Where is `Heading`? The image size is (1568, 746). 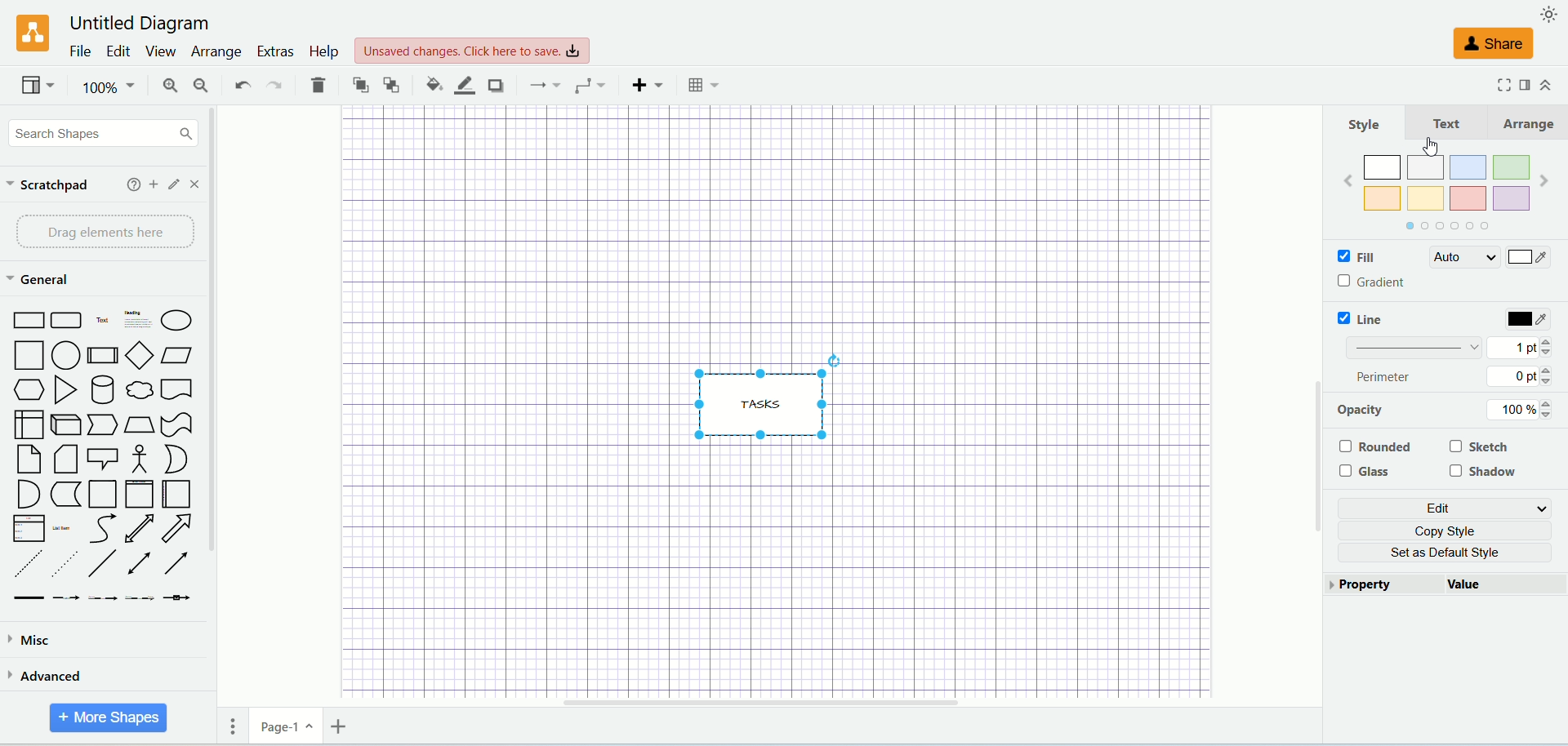
Heading is located at coordinates (139, 317).